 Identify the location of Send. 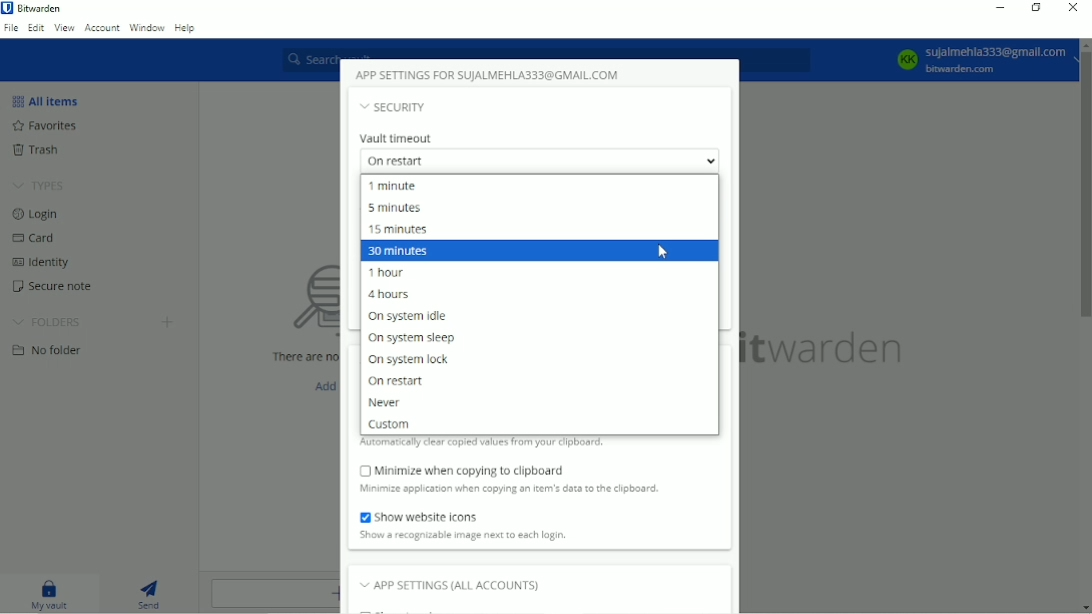
(154, 595).